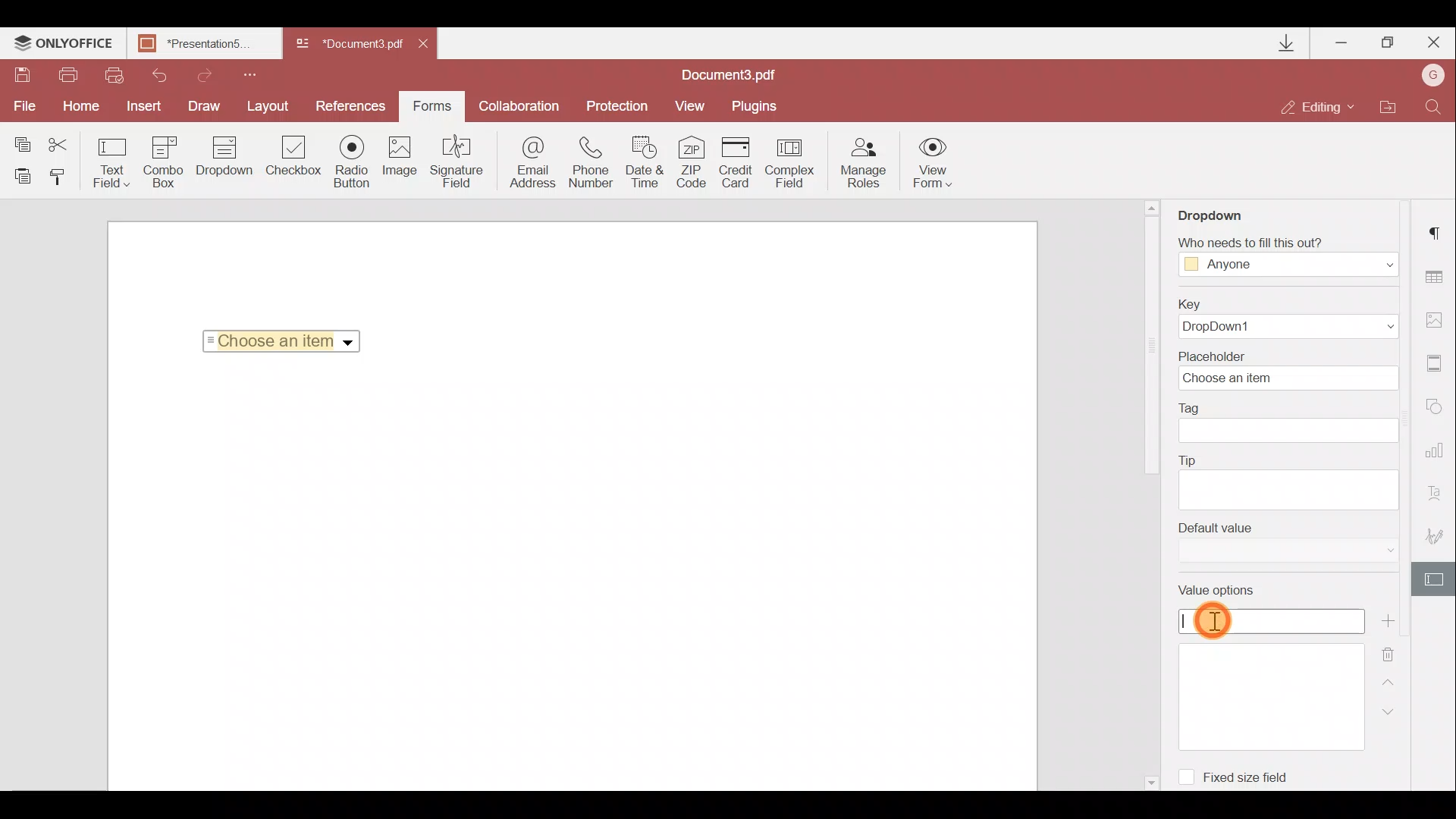 The width and height of the screenshot is (1456, 819). I want to click on Document3.pdf, so click(747, 74).